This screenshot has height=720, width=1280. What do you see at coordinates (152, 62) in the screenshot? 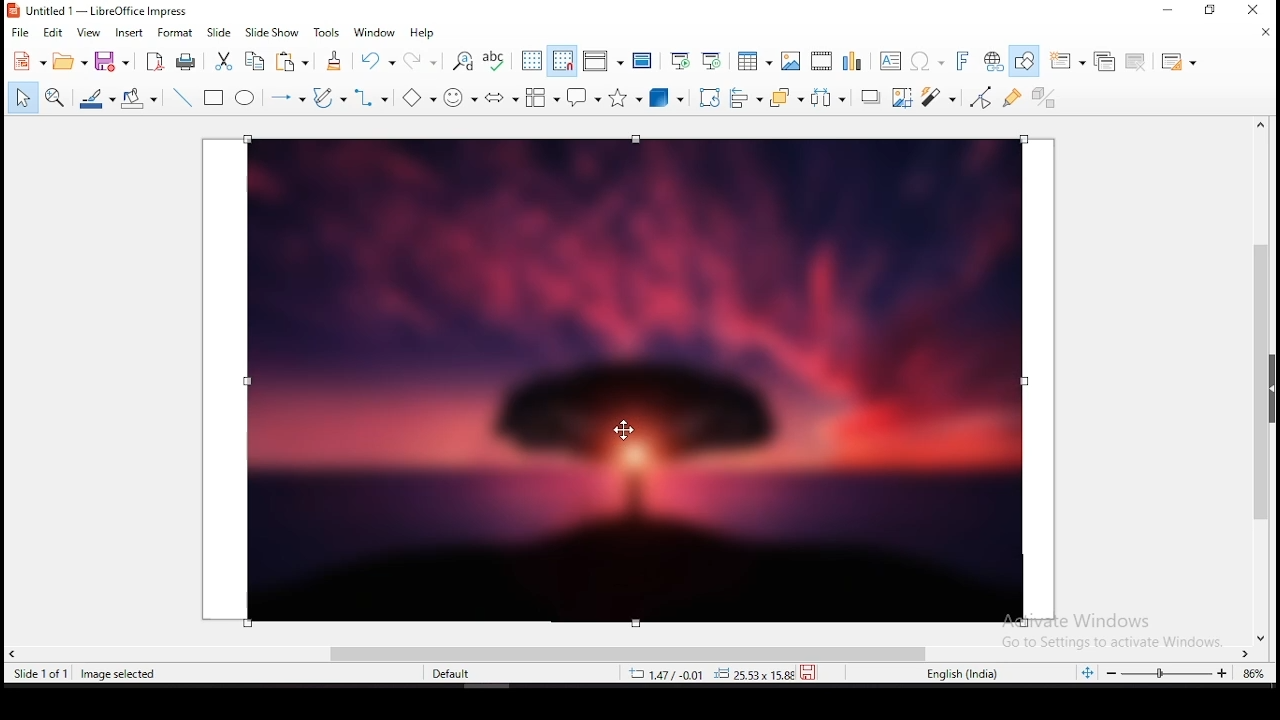
I see `export directly as pdf` at bounding box center [152, 62].